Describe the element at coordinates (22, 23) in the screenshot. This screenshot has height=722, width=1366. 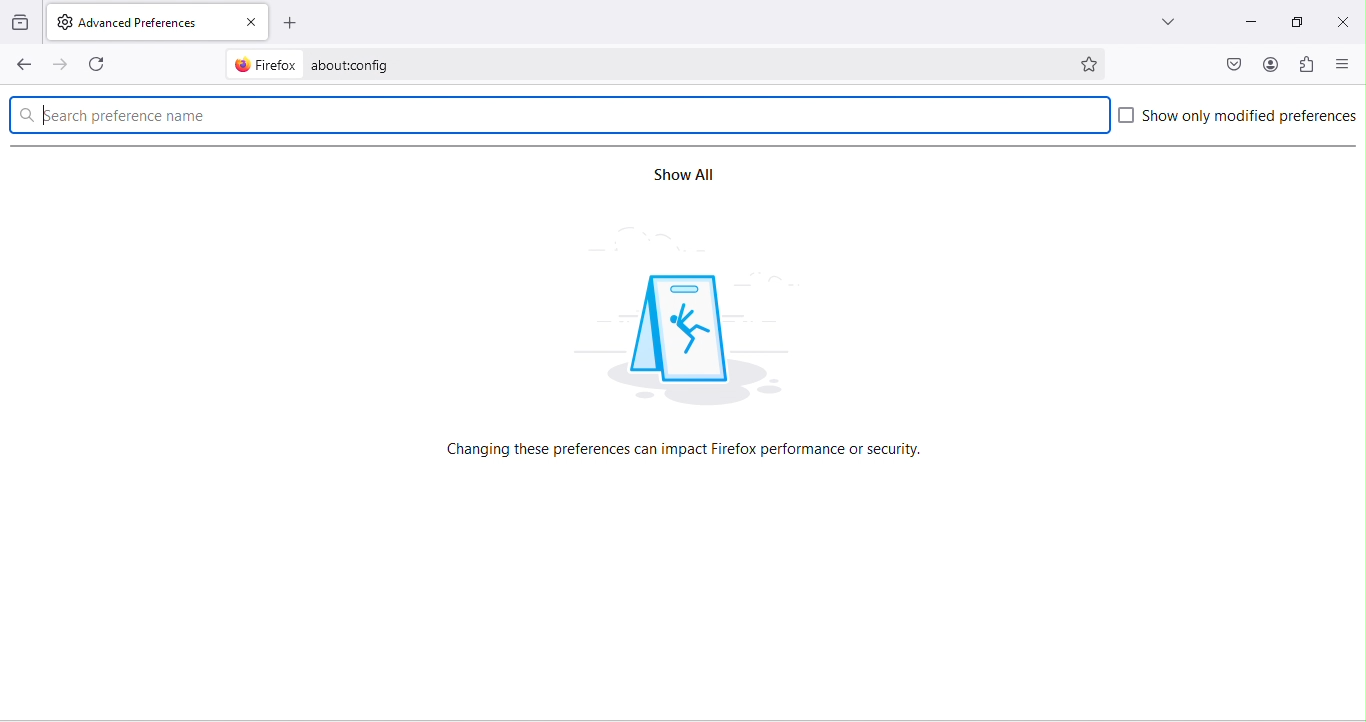
I see `view recent` at that location.